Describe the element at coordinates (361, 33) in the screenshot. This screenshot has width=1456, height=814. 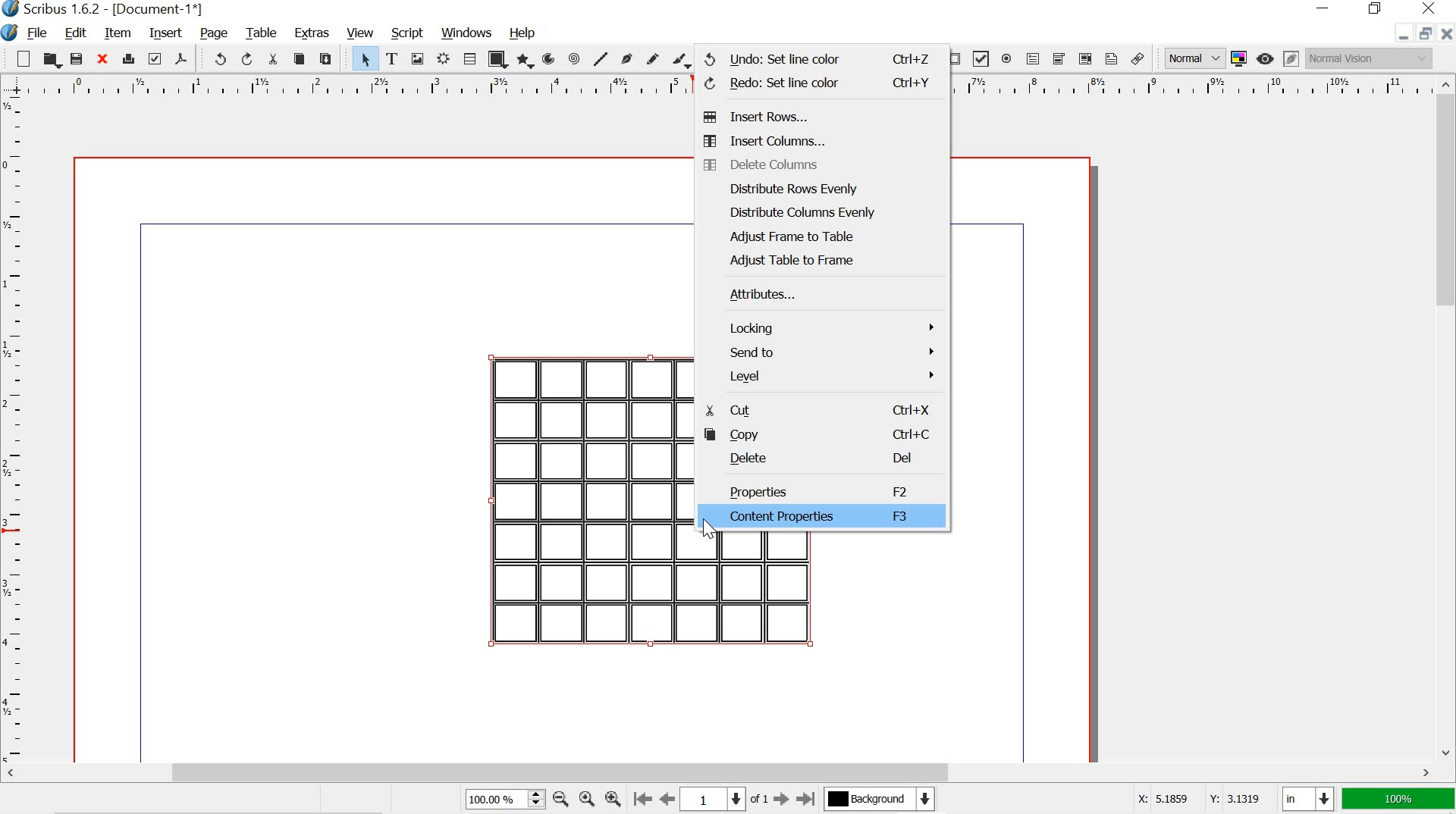
I see `view` at that location.